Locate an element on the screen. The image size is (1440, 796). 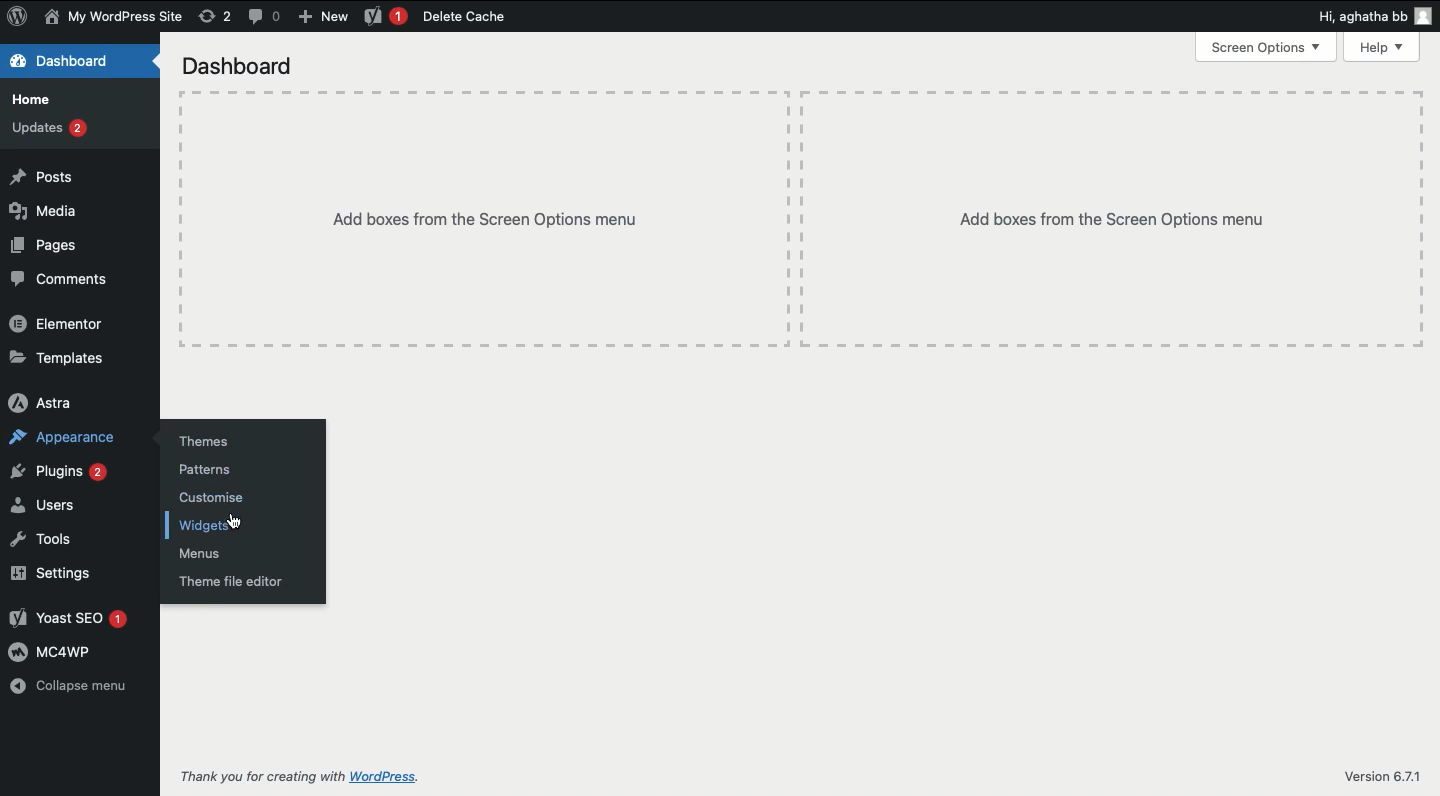
Add boxes from the Screen Options menu is located at coordinates (1105, 219).